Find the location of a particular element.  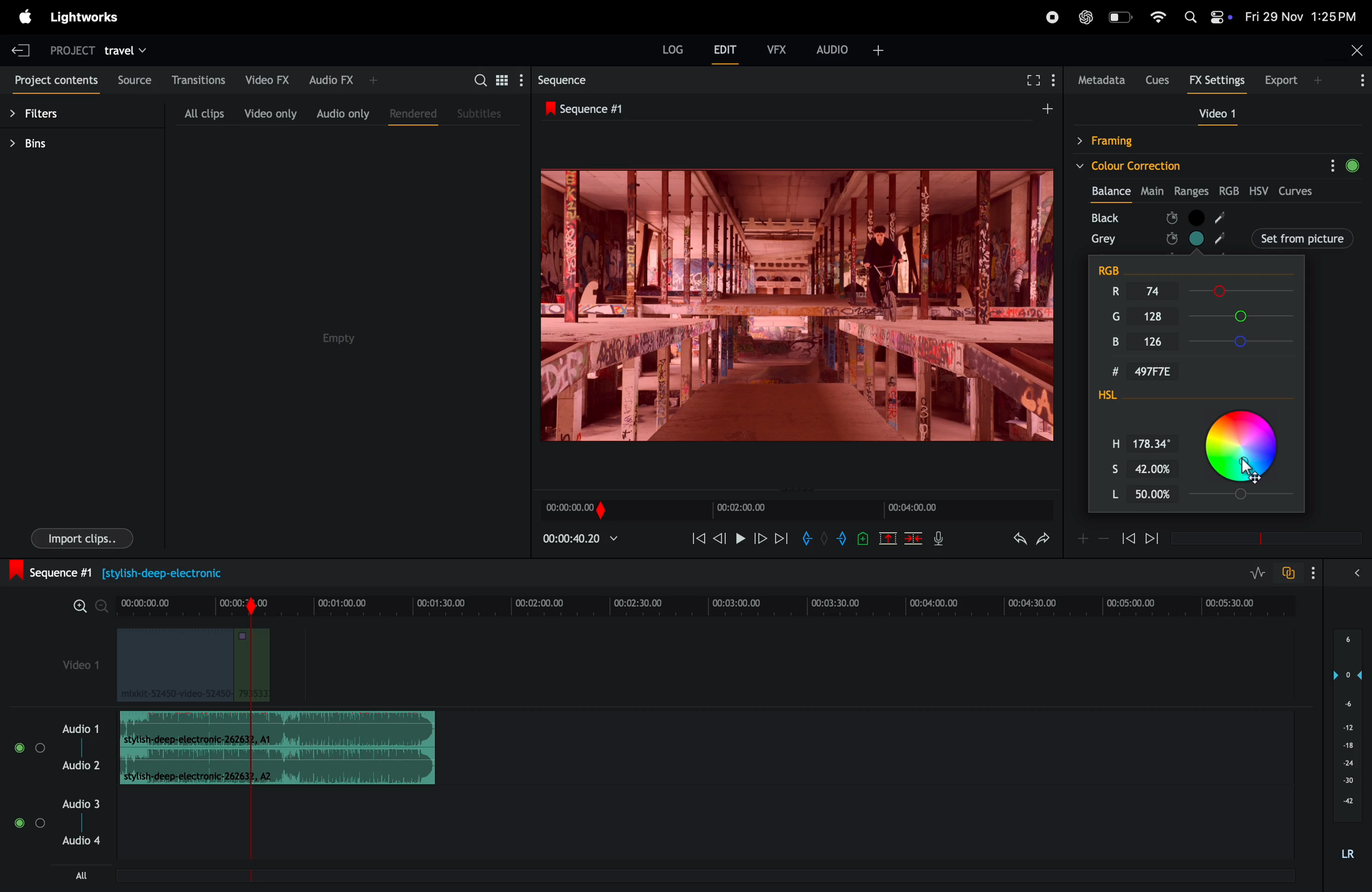

rewind is located at coordinates (1128, 539).